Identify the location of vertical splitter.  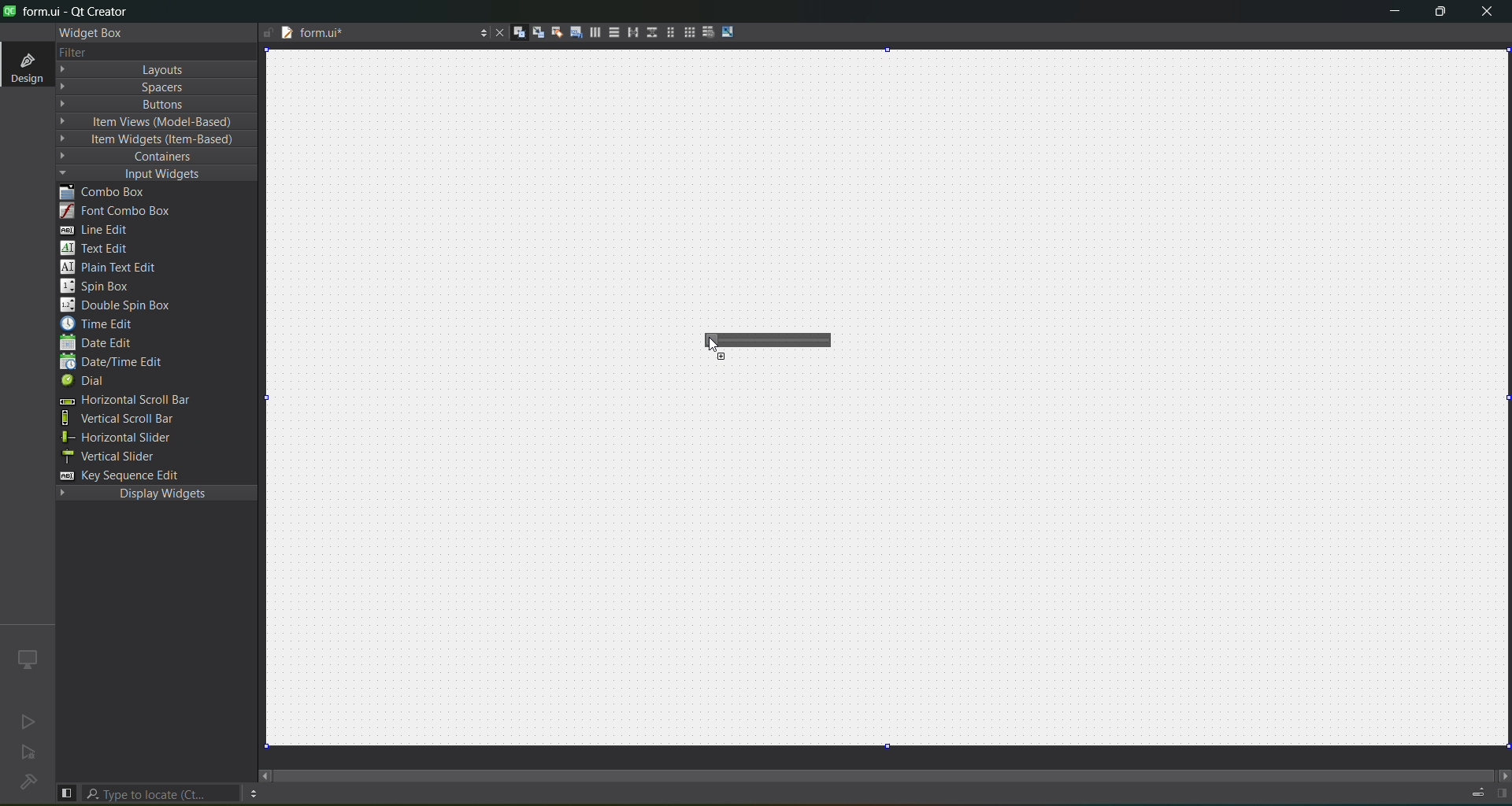
(650, 32).